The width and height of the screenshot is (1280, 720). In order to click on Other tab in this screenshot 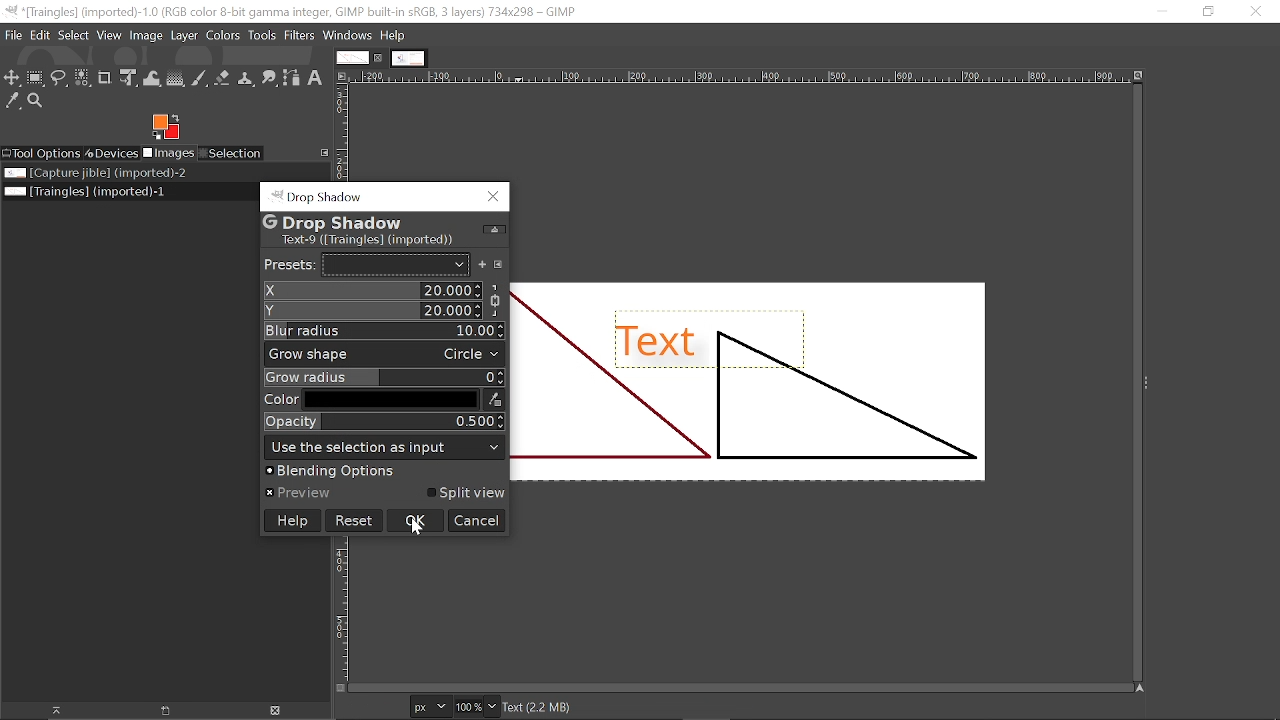, I will do `click(408, 58)`.